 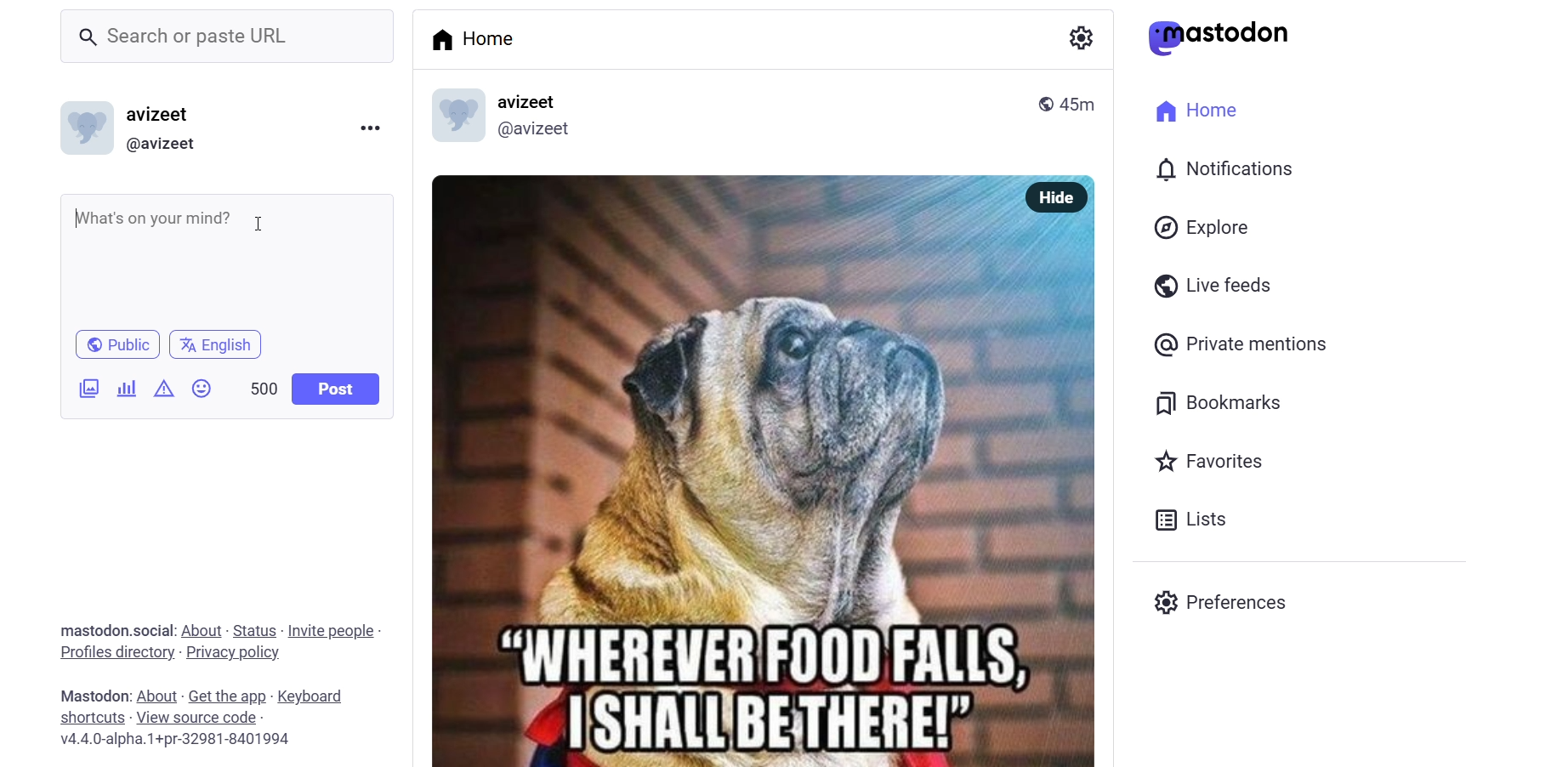 What do you see at coordinates (1222, 36) in the screenshot?
I see `astodon` at bounding box center [1222, 36].